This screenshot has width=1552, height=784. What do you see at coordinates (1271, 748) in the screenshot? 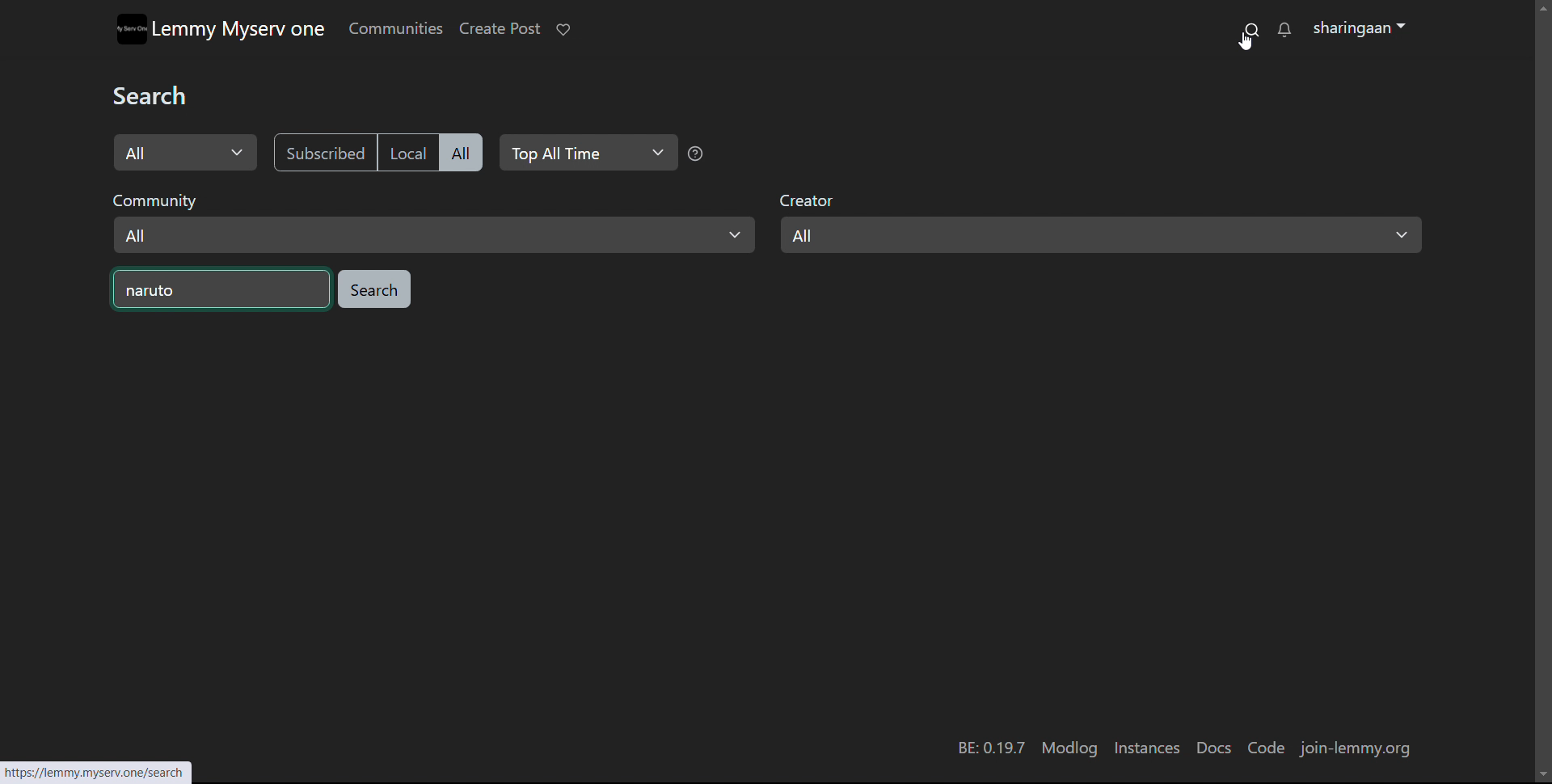
I see `code` at bounding box center [1271, 748].